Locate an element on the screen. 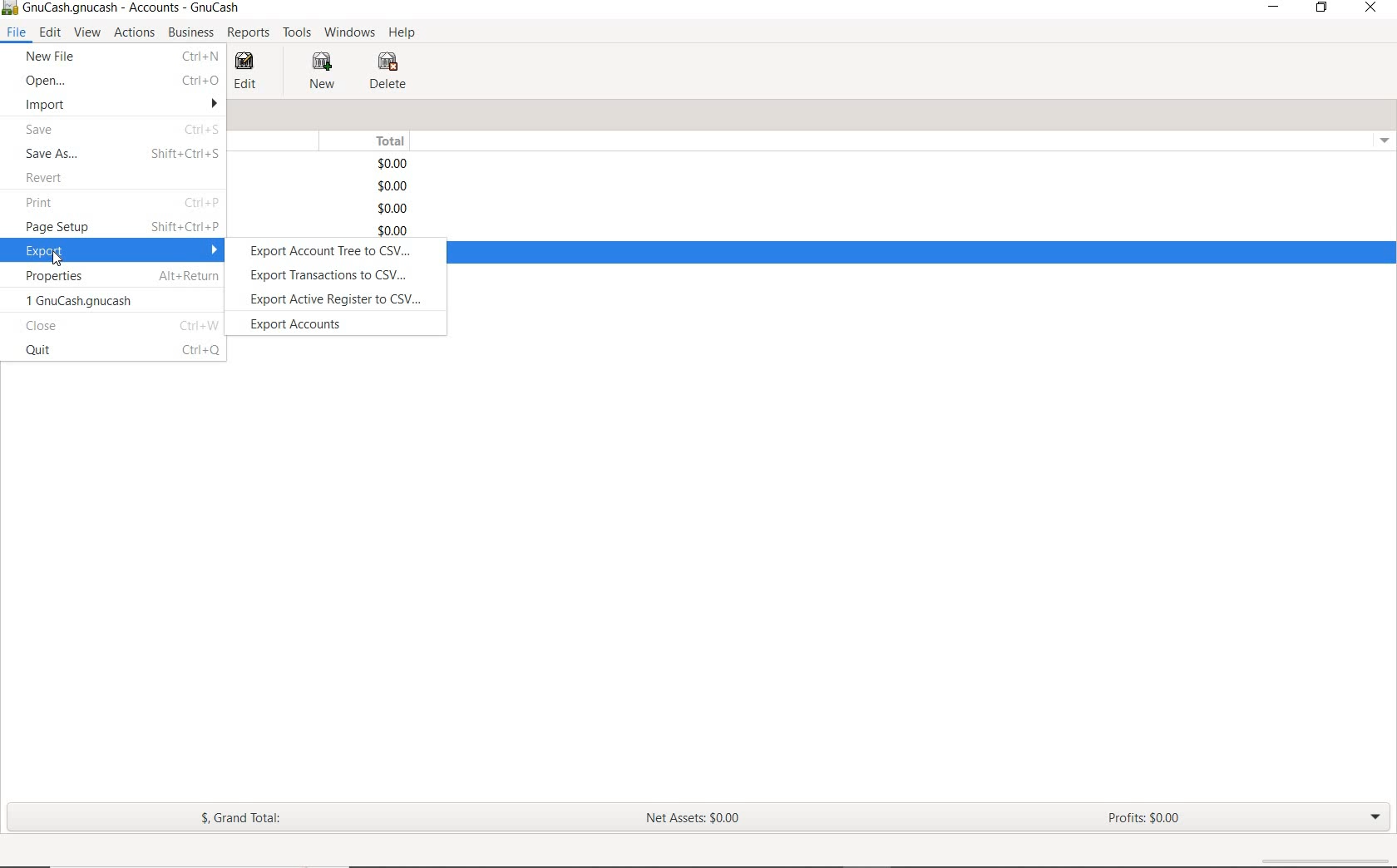 This screenshot has height=868, width=1397. SAVE AS is located at coordinates (50, 153).